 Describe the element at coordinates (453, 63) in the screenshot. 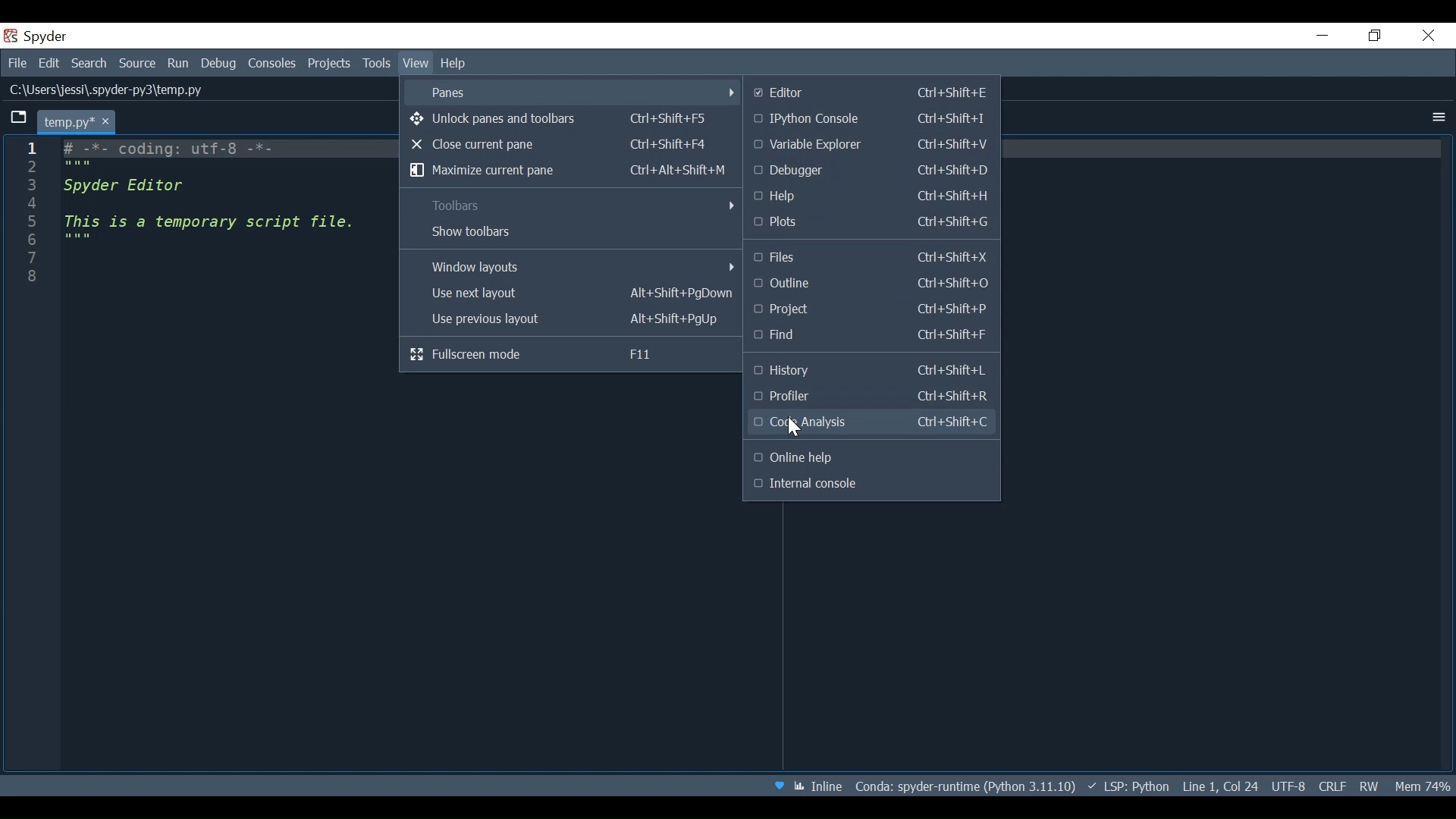

I see `Help` at that location.